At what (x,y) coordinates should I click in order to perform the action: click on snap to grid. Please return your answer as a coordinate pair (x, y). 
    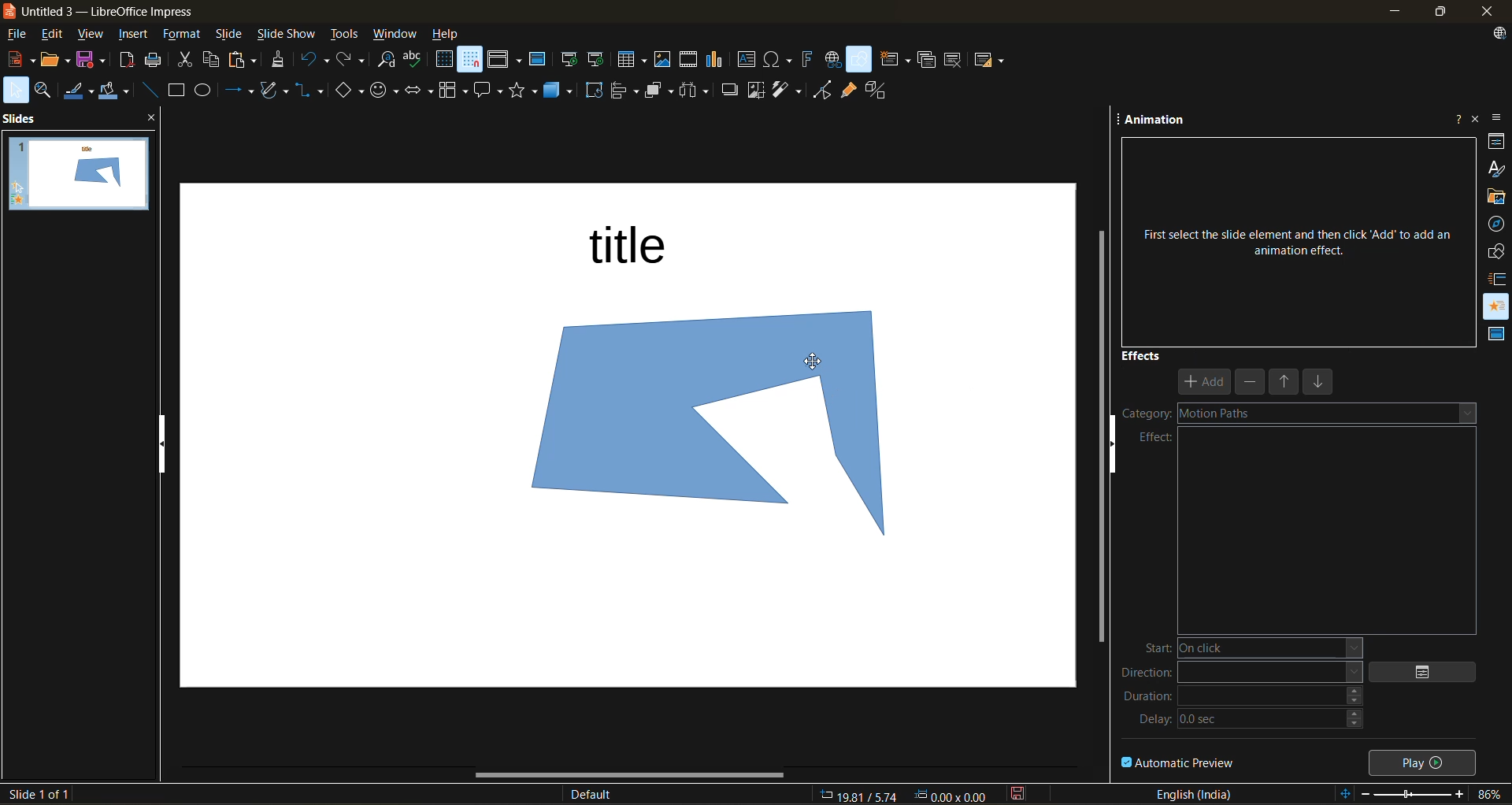
    Looking at the image, I should click on (469, 61).